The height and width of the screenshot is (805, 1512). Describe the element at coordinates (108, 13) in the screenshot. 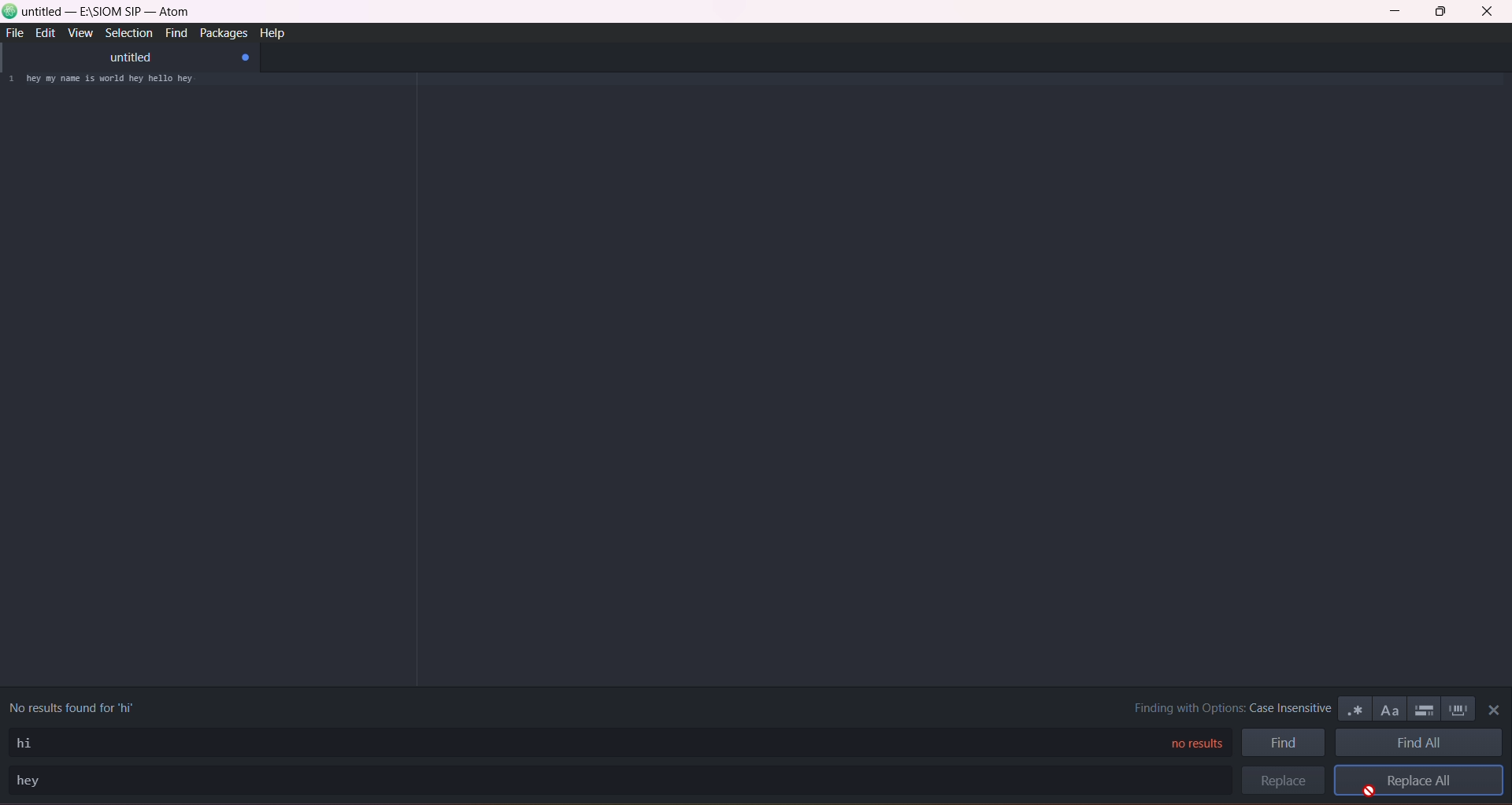

I see `untitled-e:\siom sp-atom` at that location.